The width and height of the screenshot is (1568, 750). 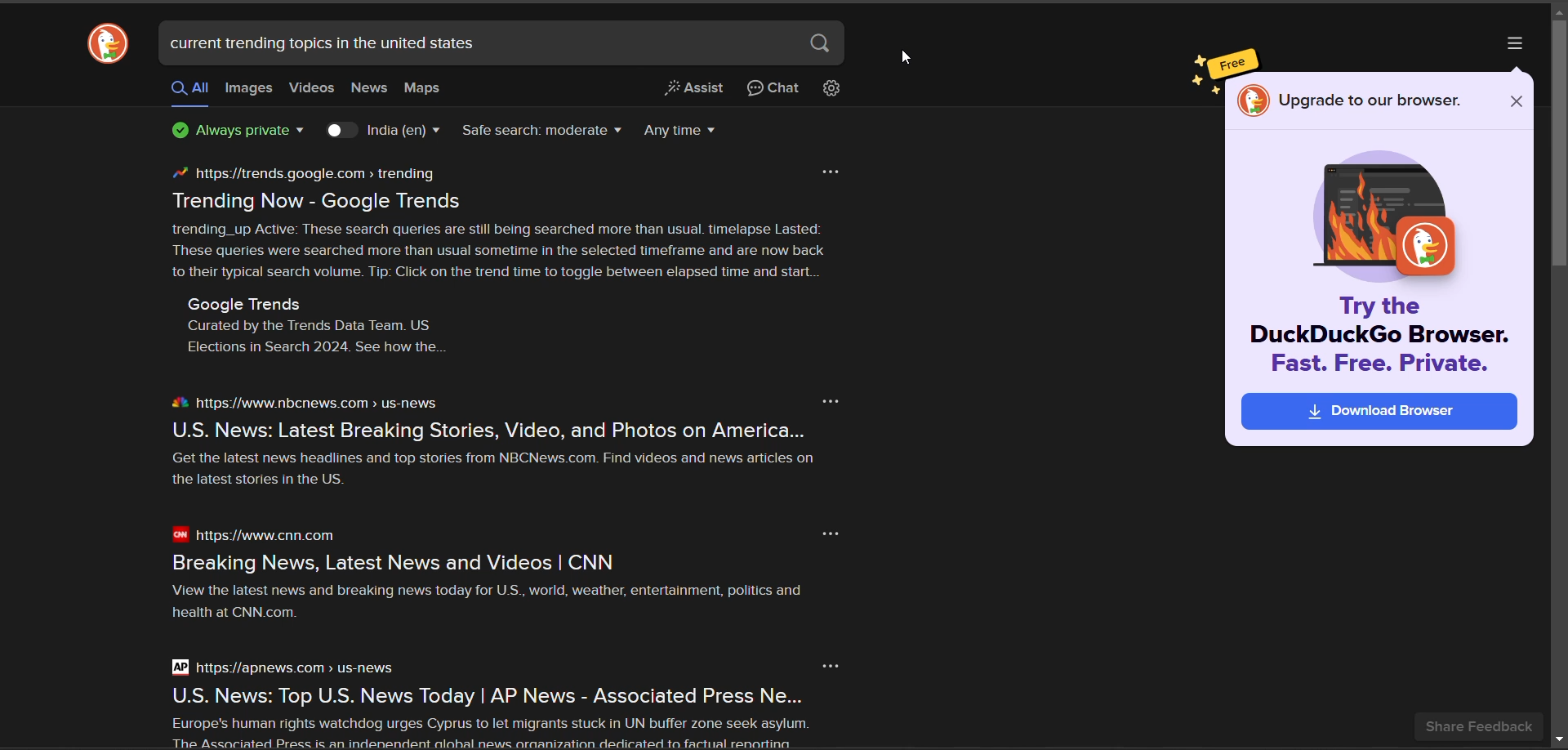 What do you see at coordinates (832, 533) in the screenshot?
I see `more` at bounding box center [832, 533].